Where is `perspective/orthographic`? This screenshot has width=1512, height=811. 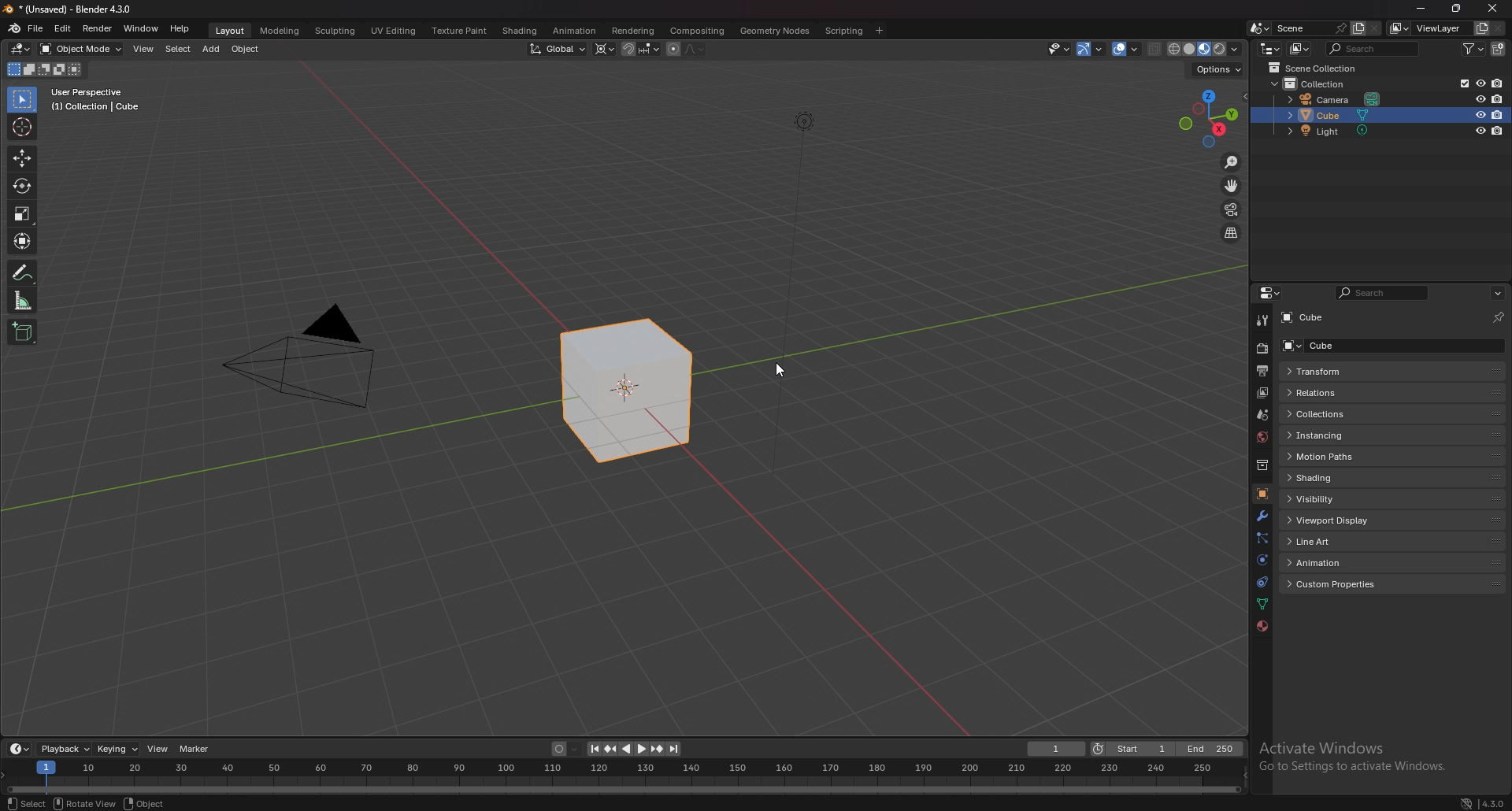
perspective/orthographic is located at coordinates (1232, 234).